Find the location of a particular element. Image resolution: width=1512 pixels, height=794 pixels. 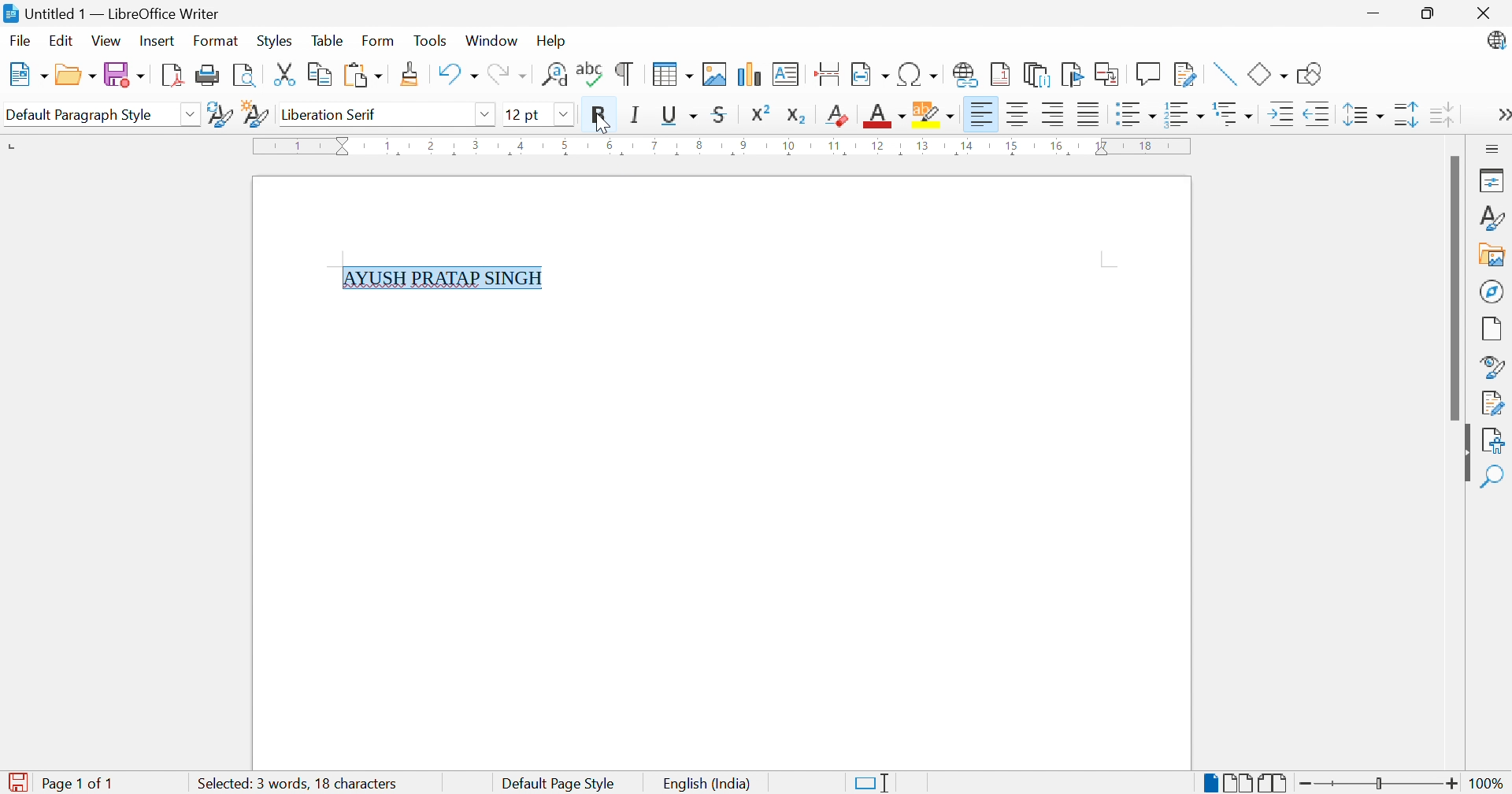

Insert Endnote is located at coordinates (1034, 76).